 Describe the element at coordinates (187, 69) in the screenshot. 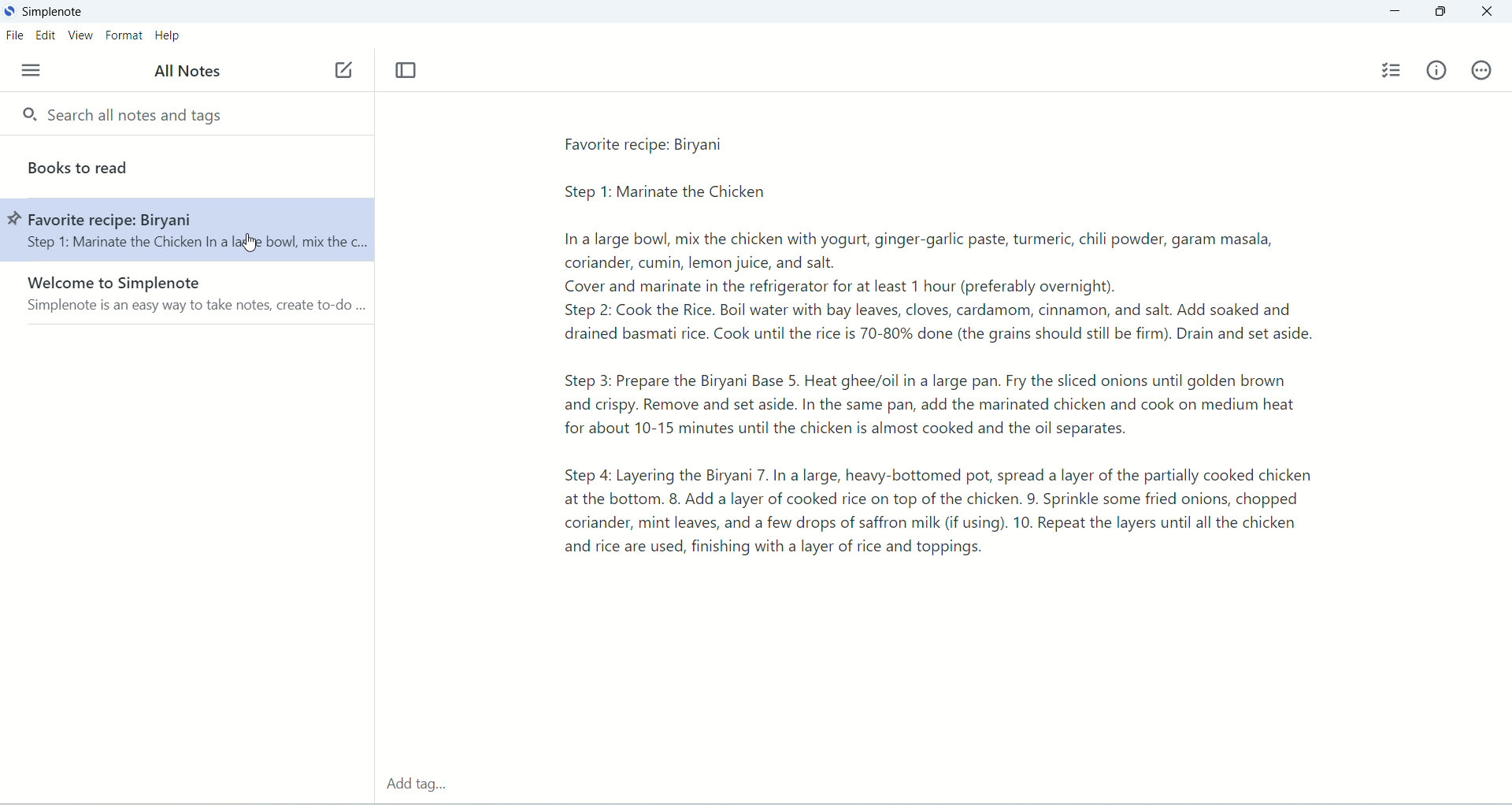

I see `all notes` at that location.